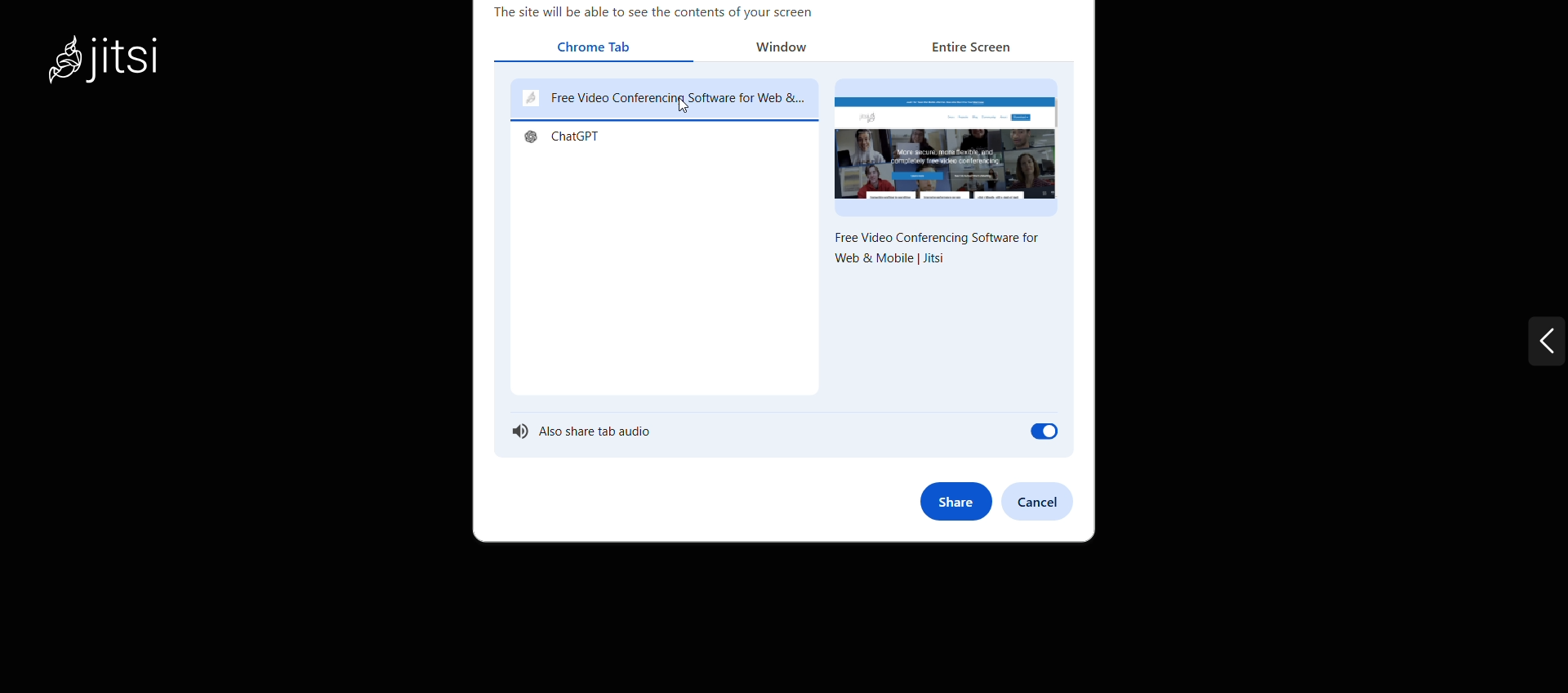  What do you see at coordinates (966, 50) in the screenshot?
I see `Entire Screen Tab` at bounding box center [966, 50].